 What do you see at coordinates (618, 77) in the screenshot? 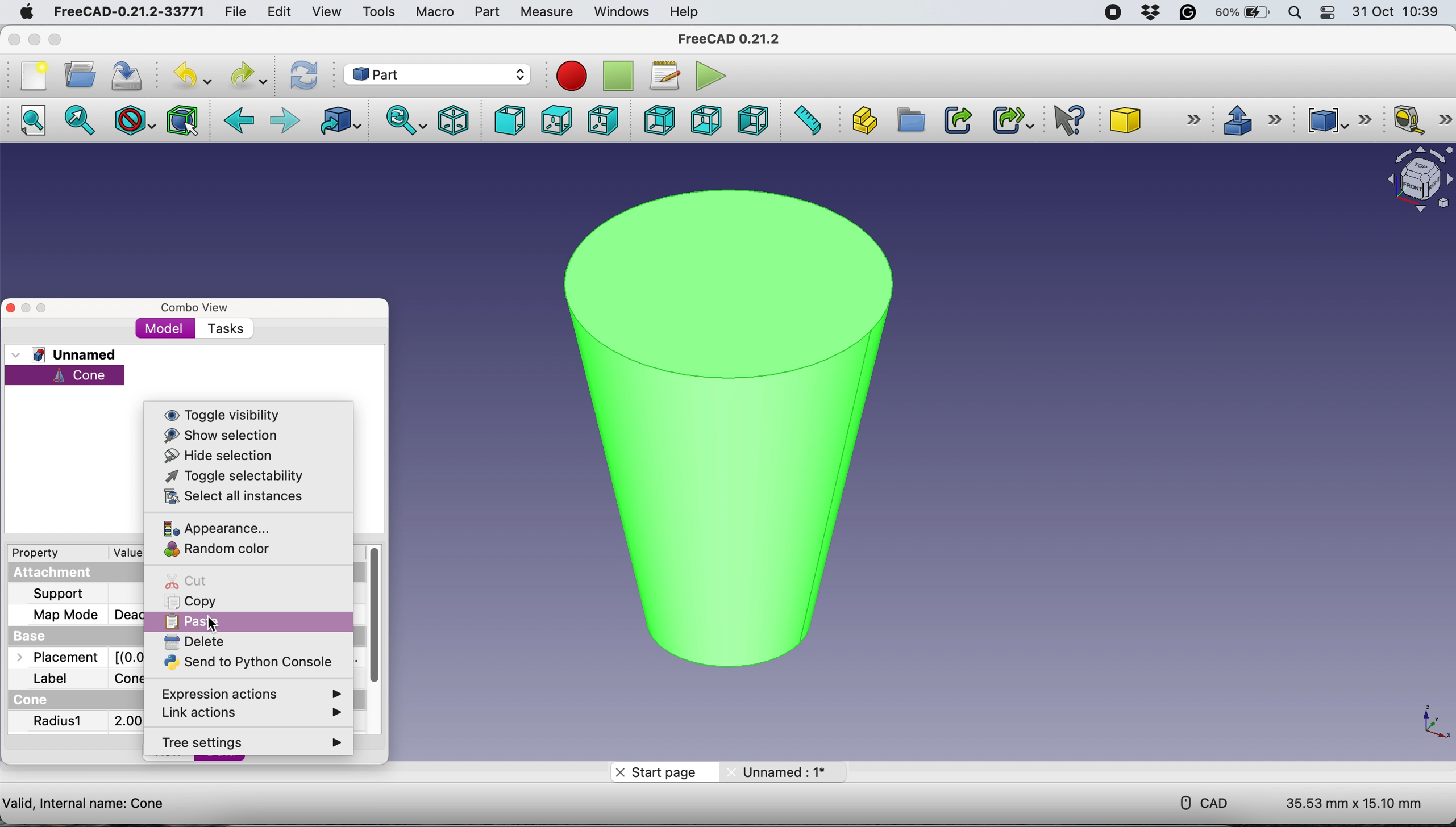
I see `step recording macros` at bounding box center [618, 77].